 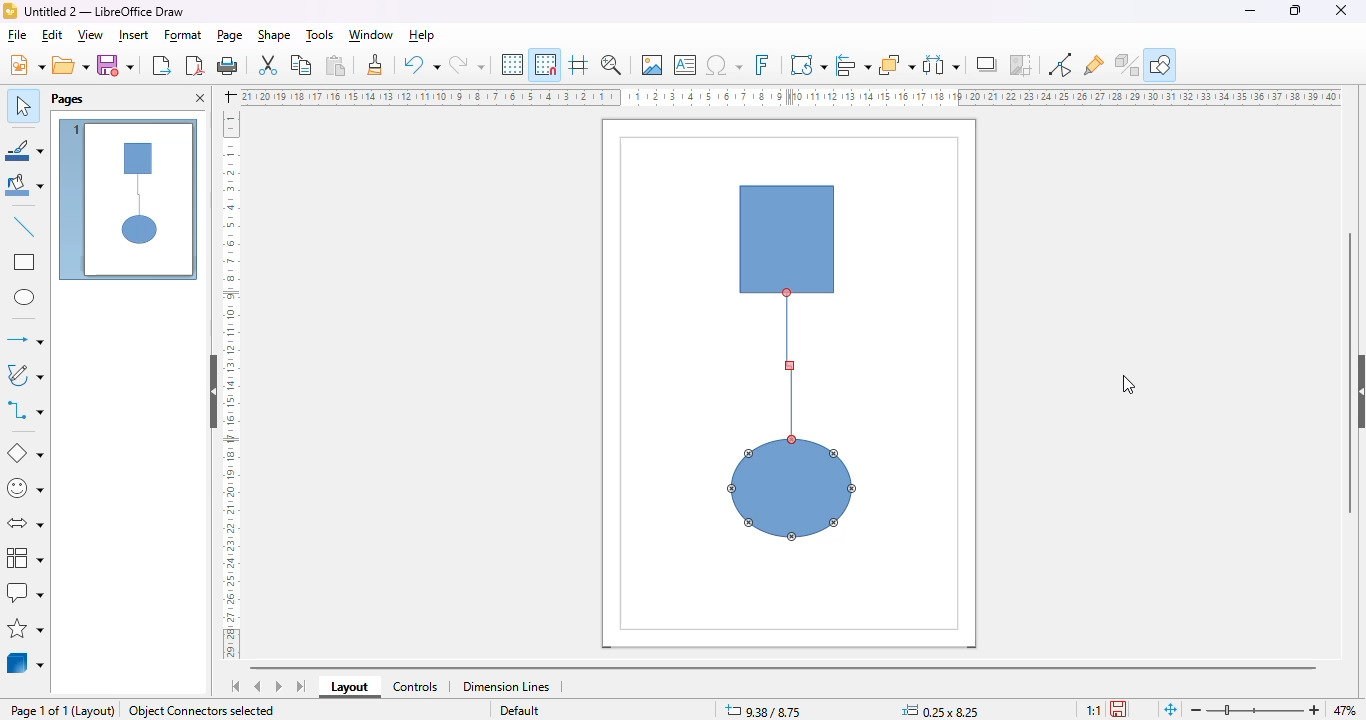 I want to click on shadow, so click(x=988, y=65).